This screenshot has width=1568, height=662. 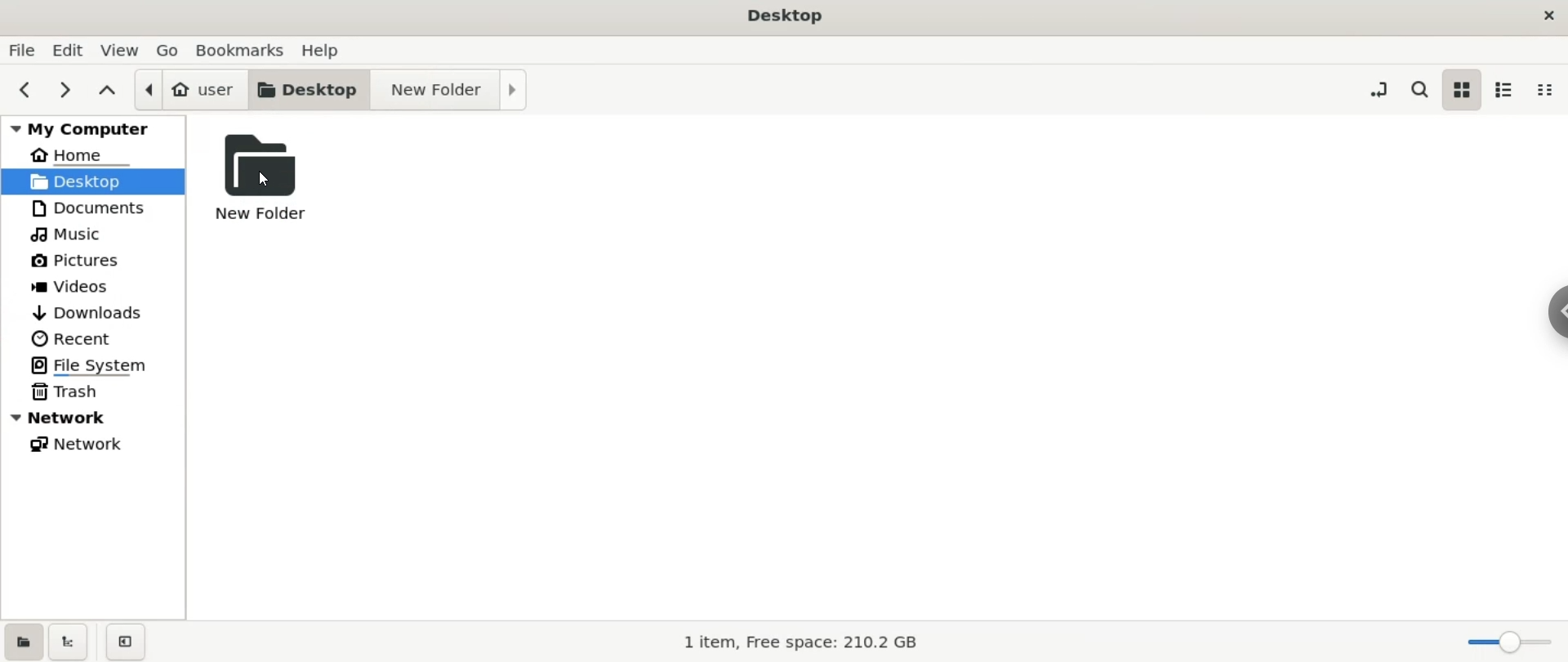 I want to click on edit, so click(x=68, y=51).